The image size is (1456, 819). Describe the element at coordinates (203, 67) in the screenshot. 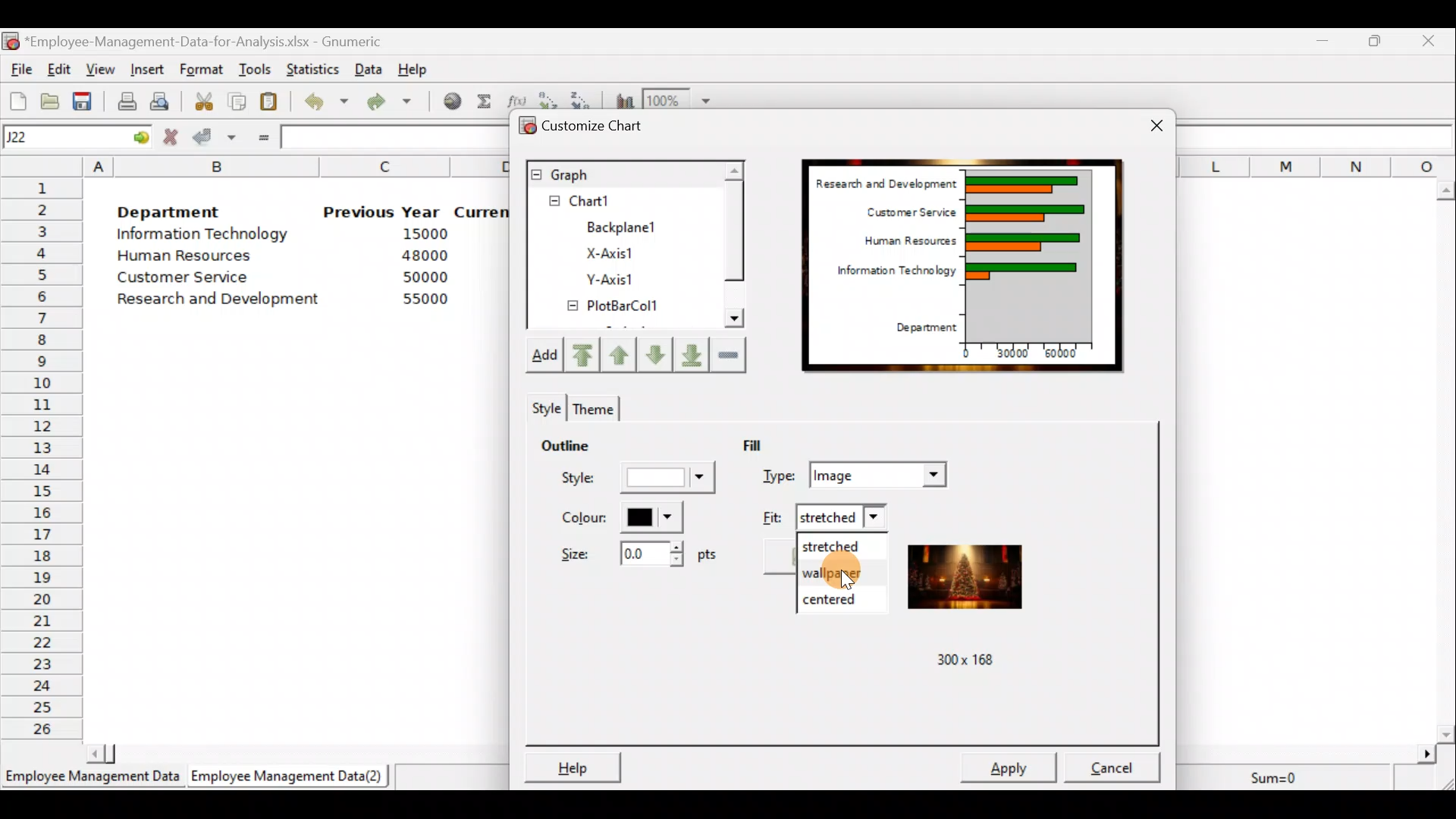

I see `Format` at that location.